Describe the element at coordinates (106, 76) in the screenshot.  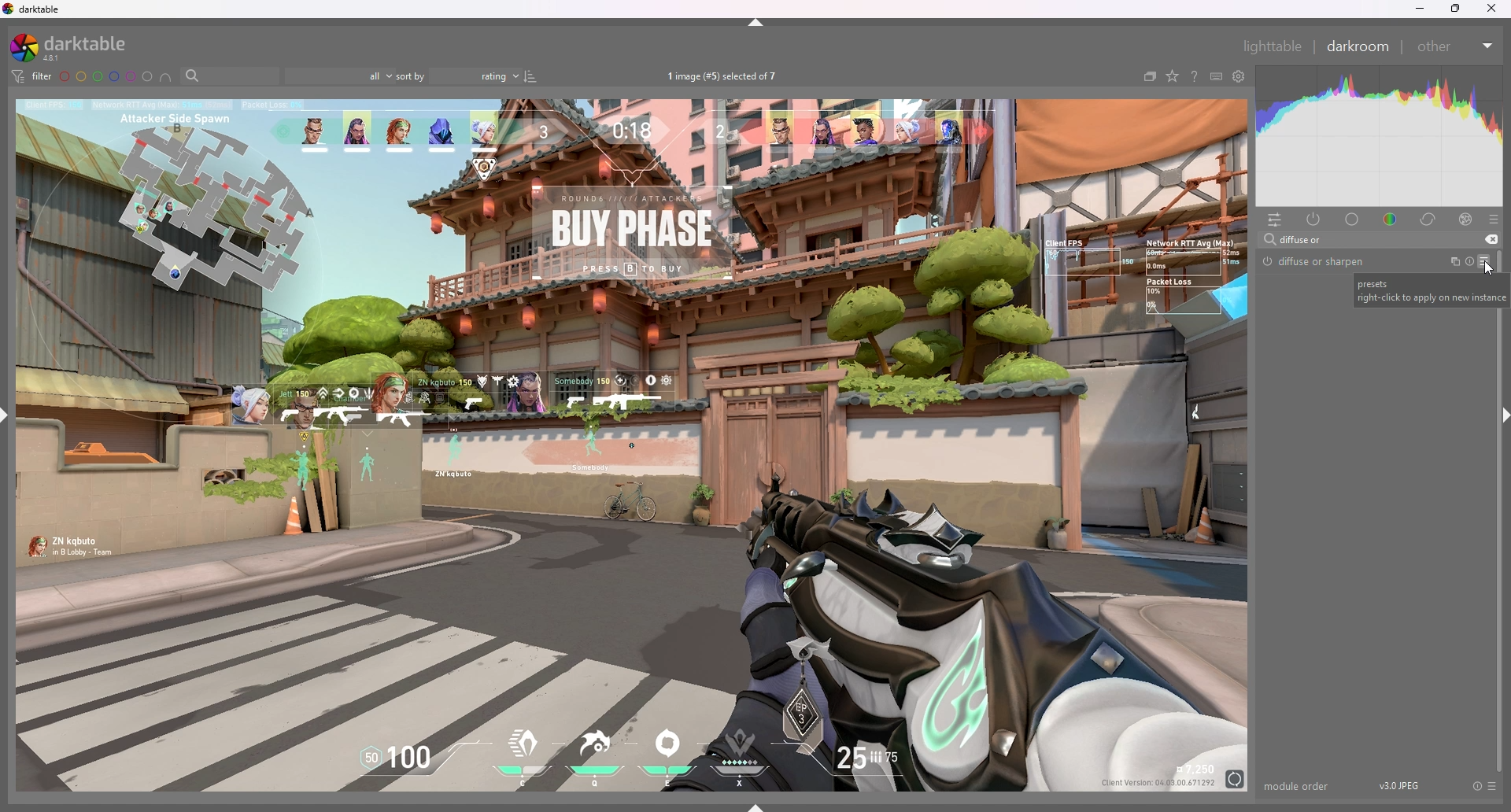
I see `color label` at that location.